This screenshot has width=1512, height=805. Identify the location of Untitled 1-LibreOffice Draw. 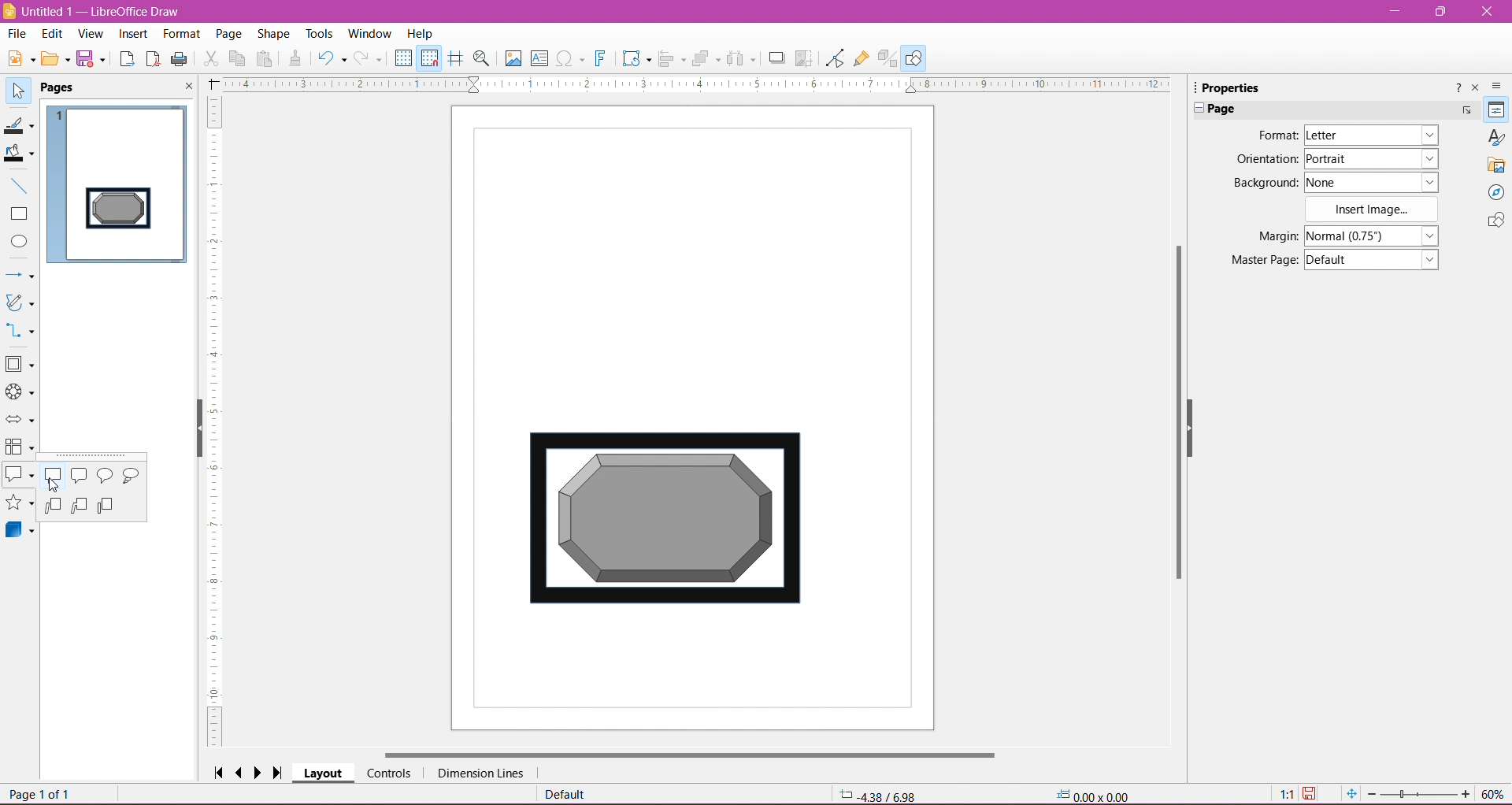
(108, 10).